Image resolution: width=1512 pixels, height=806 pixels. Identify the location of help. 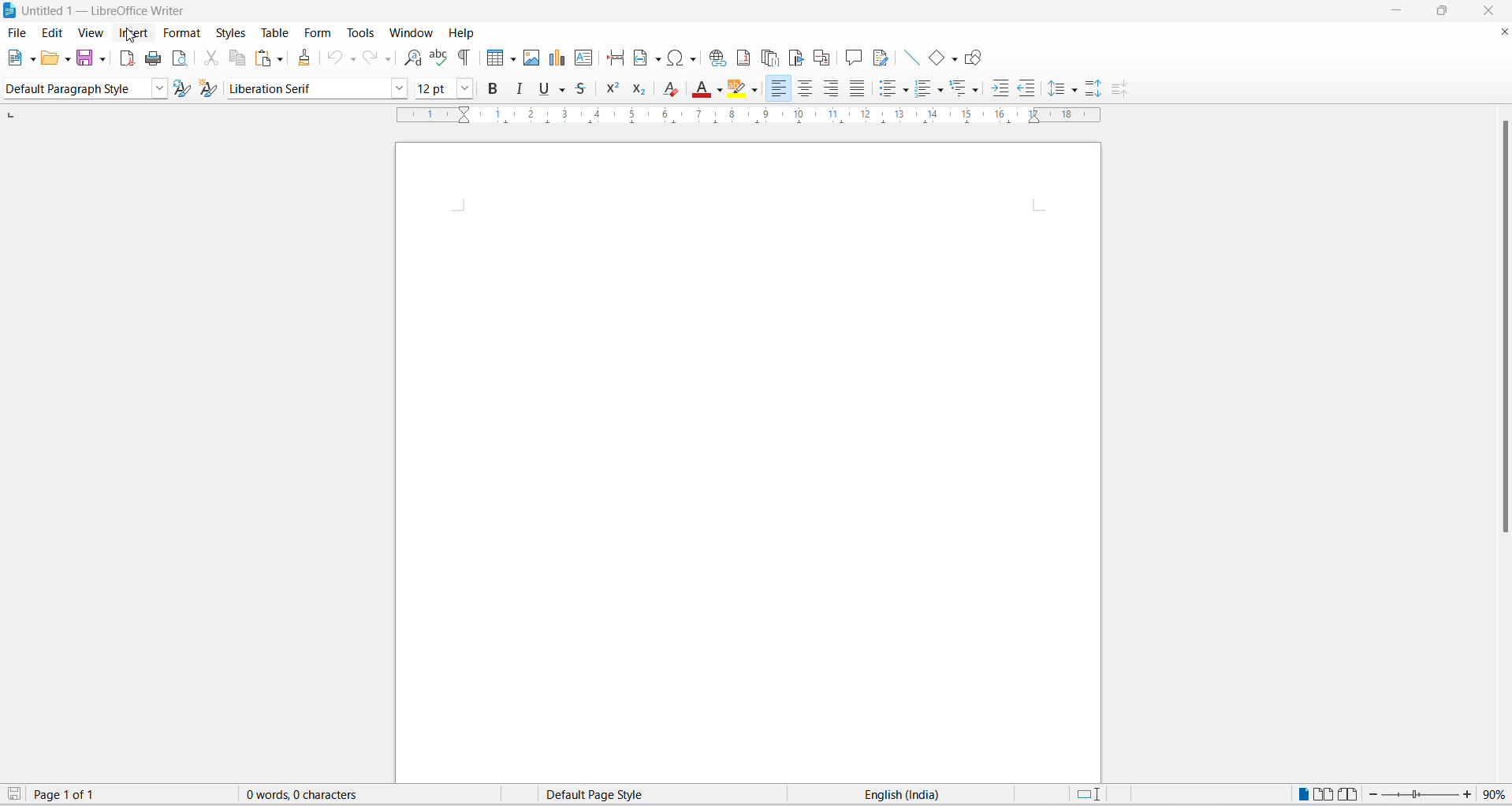
(459, 32).